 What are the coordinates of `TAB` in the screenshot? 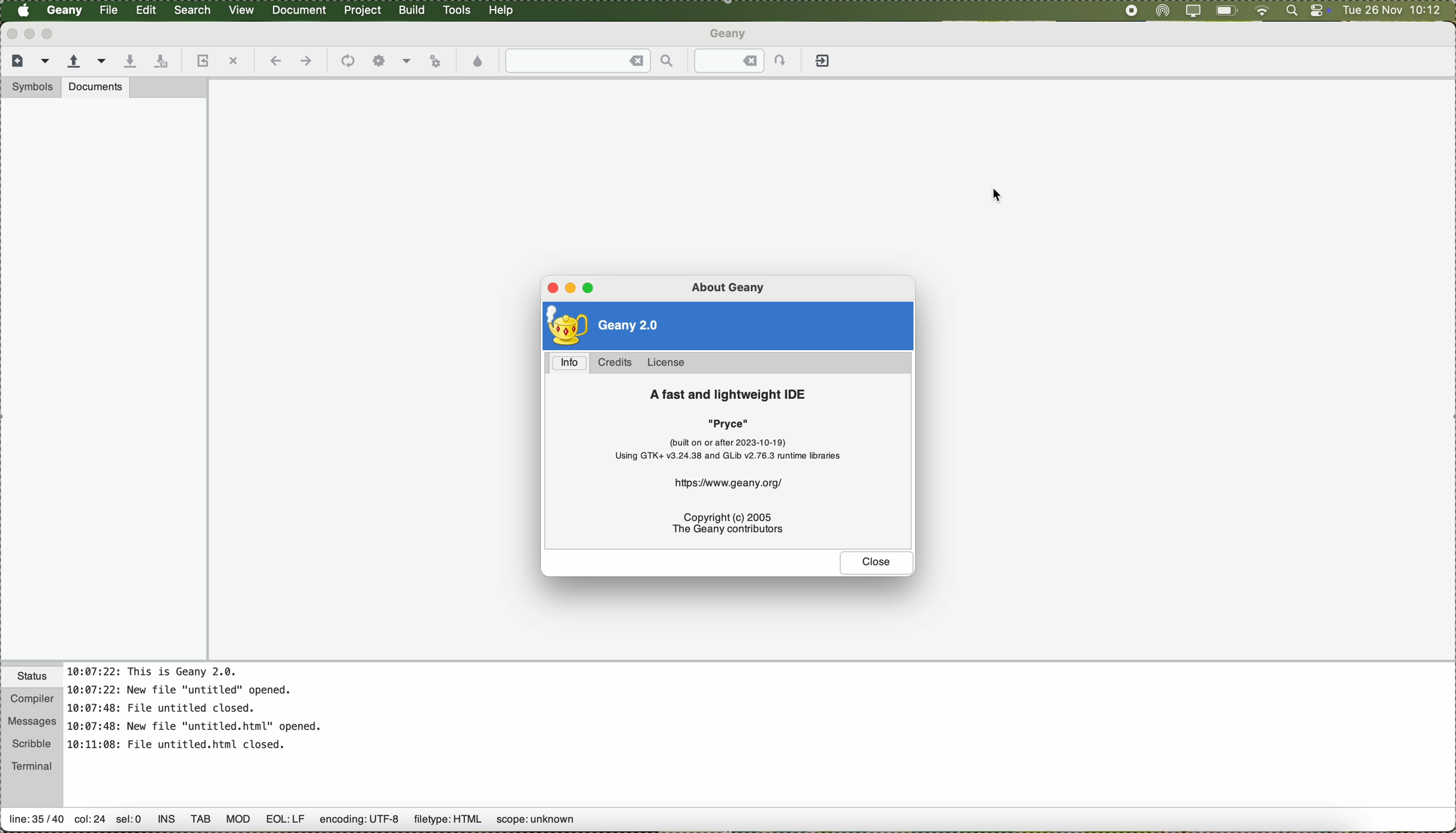 It's located at (201, 823).